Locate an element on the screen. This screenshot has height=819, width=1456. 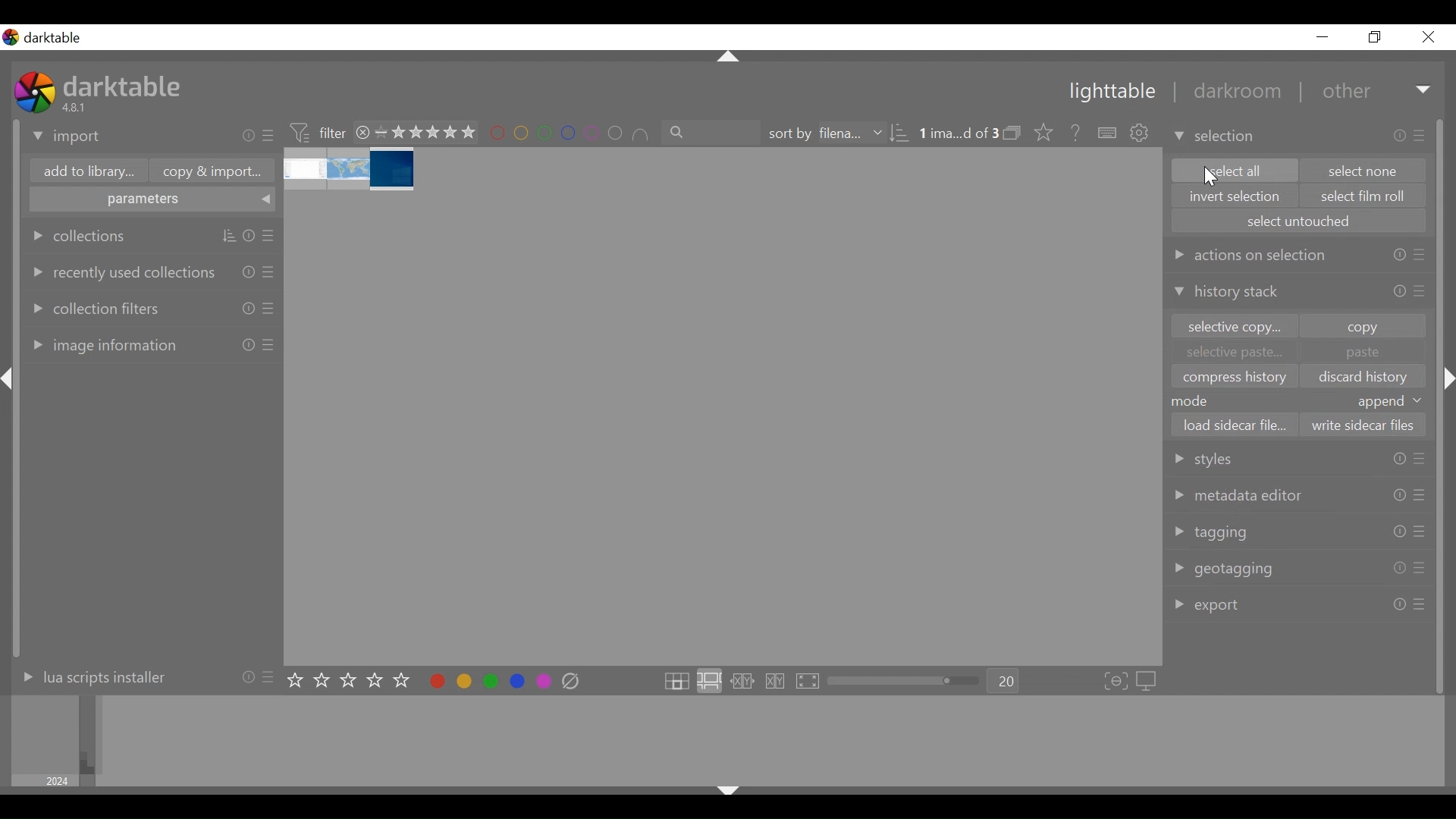
click to enter culling layout dynamic mode is located at coordinates (777, 682).